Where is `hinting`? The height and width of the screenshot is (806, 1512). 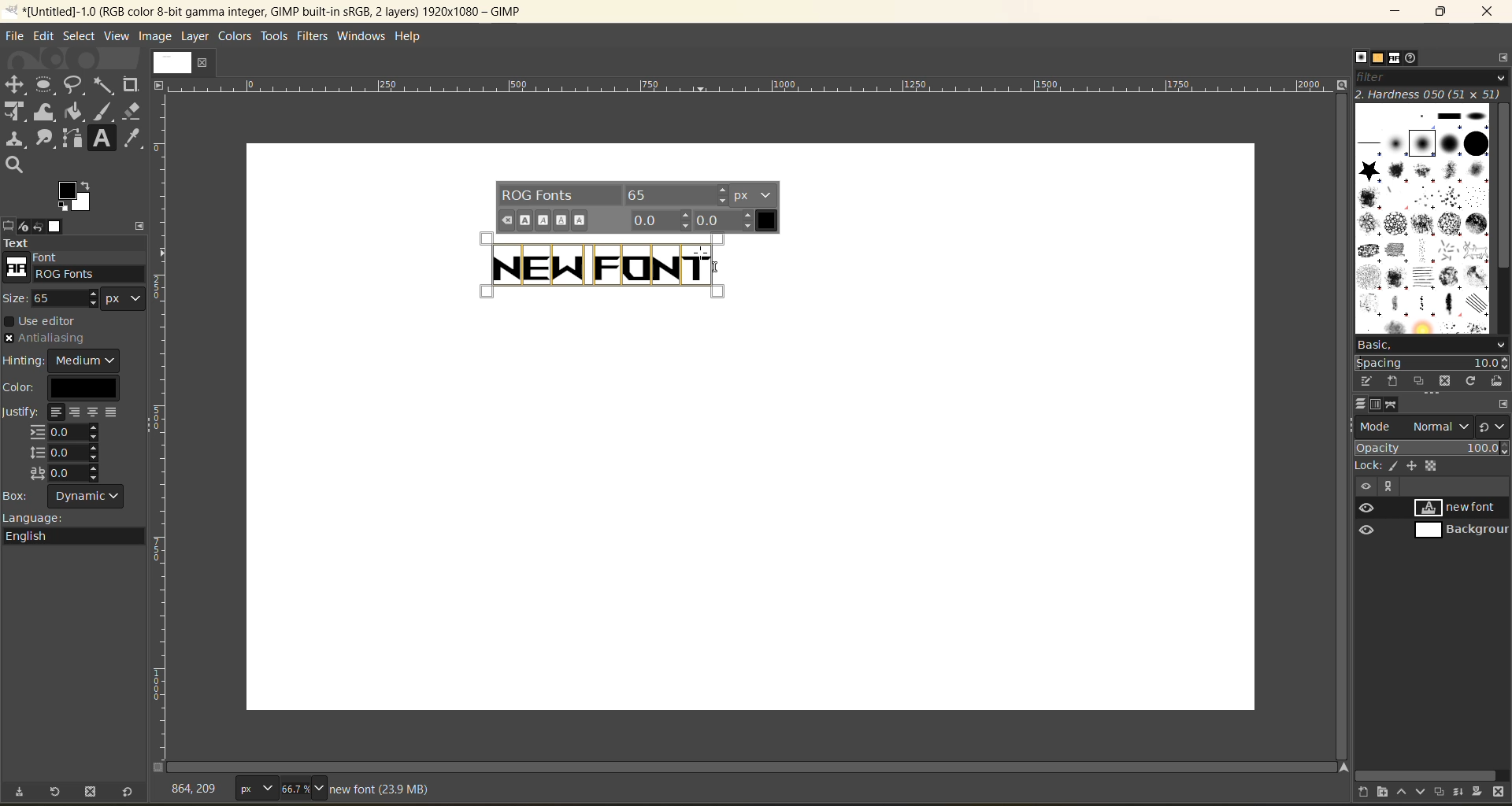
hinting is located at coordinates (64, 360).